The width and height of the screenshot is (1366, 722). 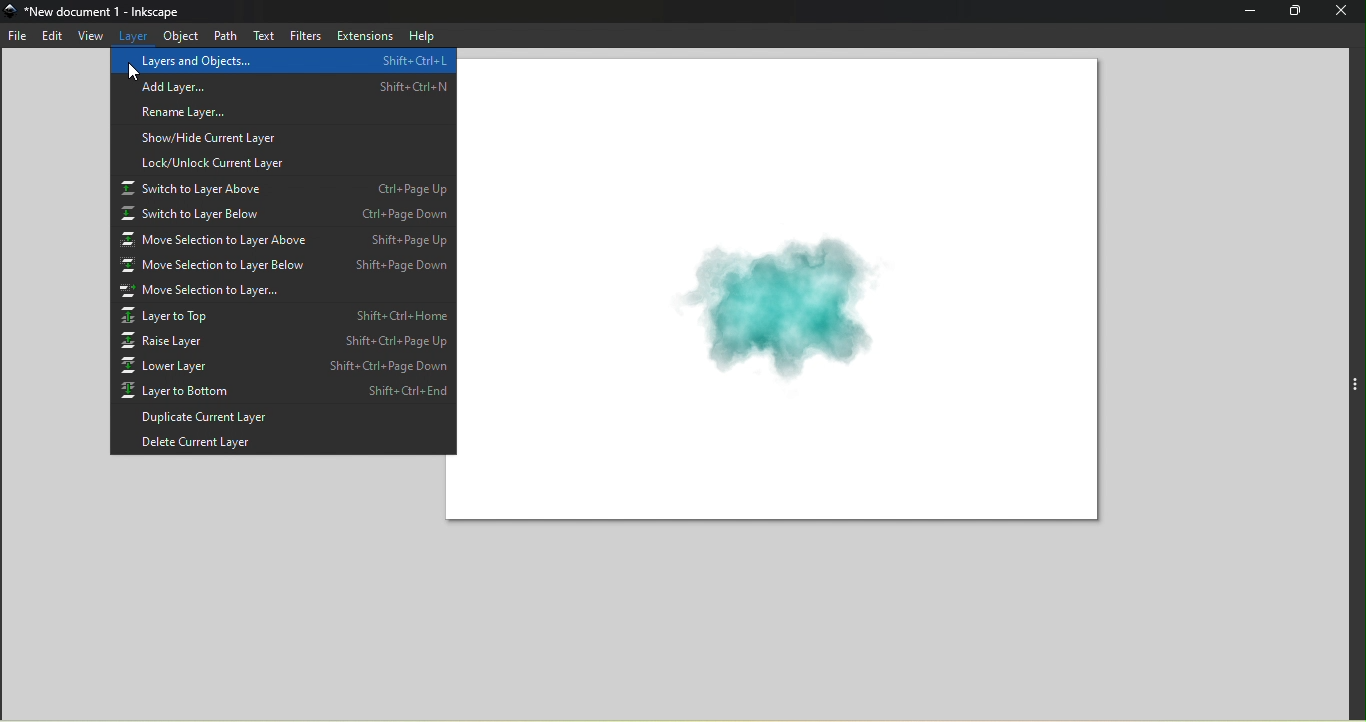 What do you see at coordinates (284, 365) in the screenshot?
I see `Lower layer` at bounding box center [284, 365].